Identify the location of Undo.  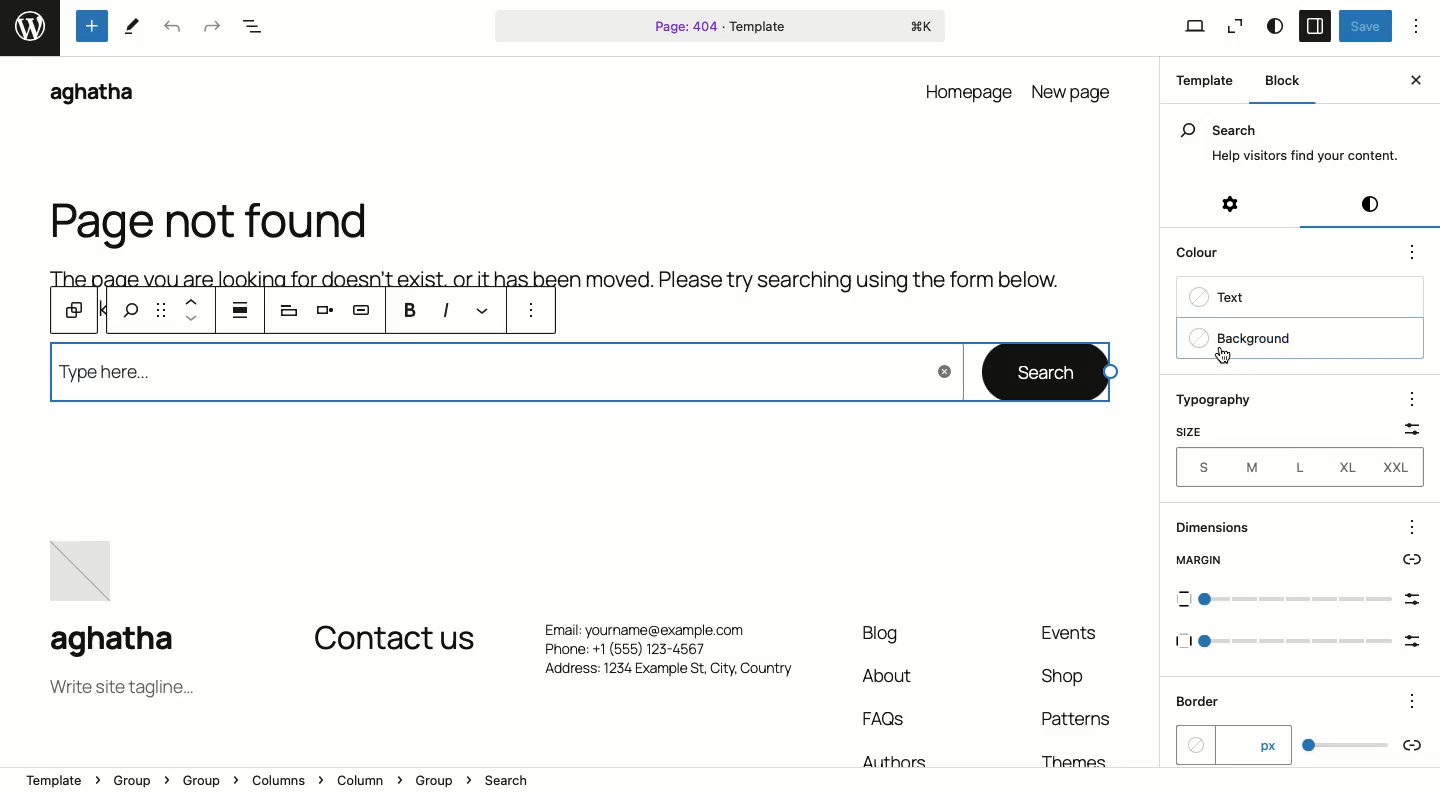
(171, 27).